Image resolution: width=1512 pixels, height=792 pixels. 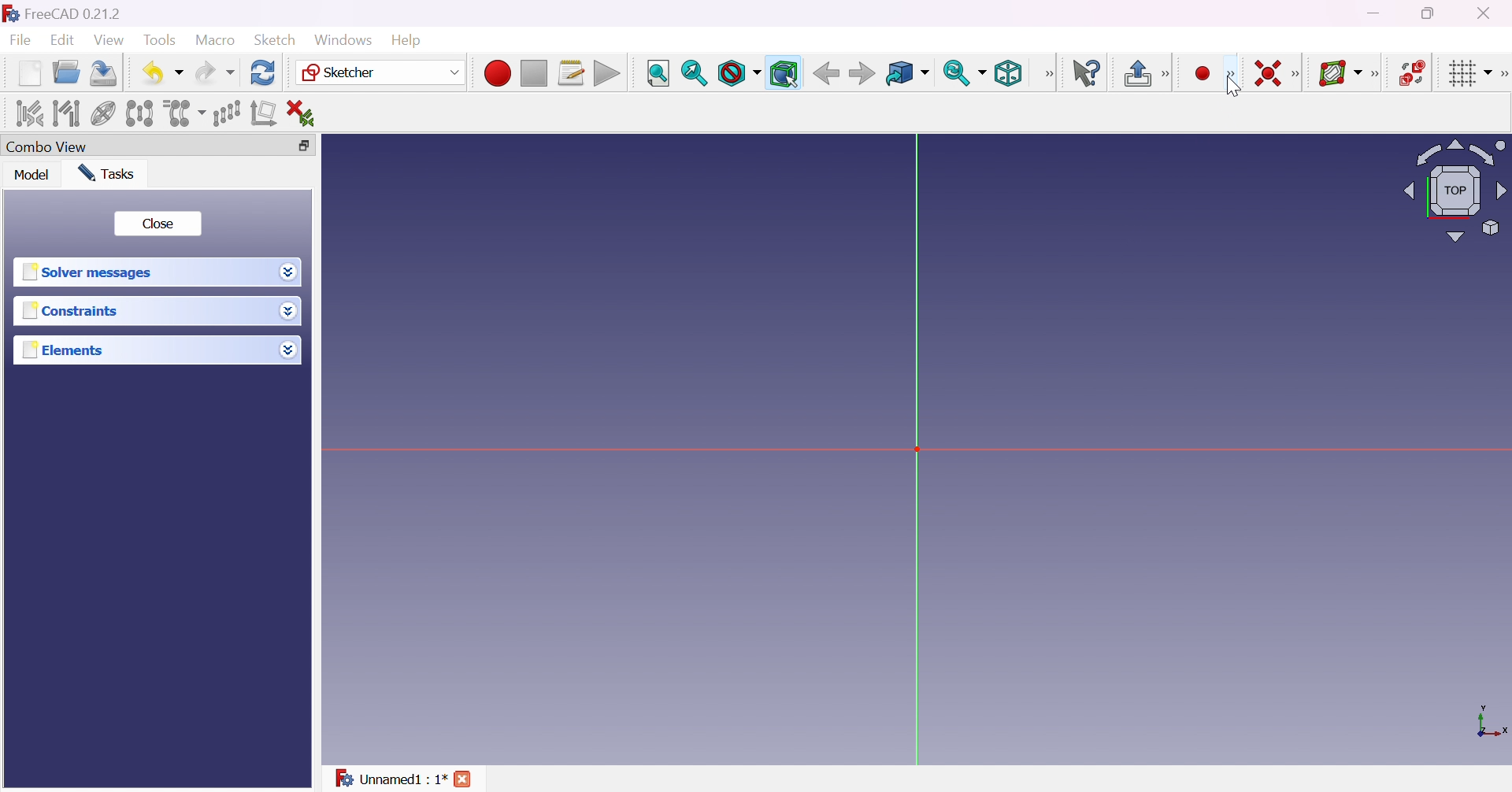 I want to click on Tools, so click(x=161, y=40).